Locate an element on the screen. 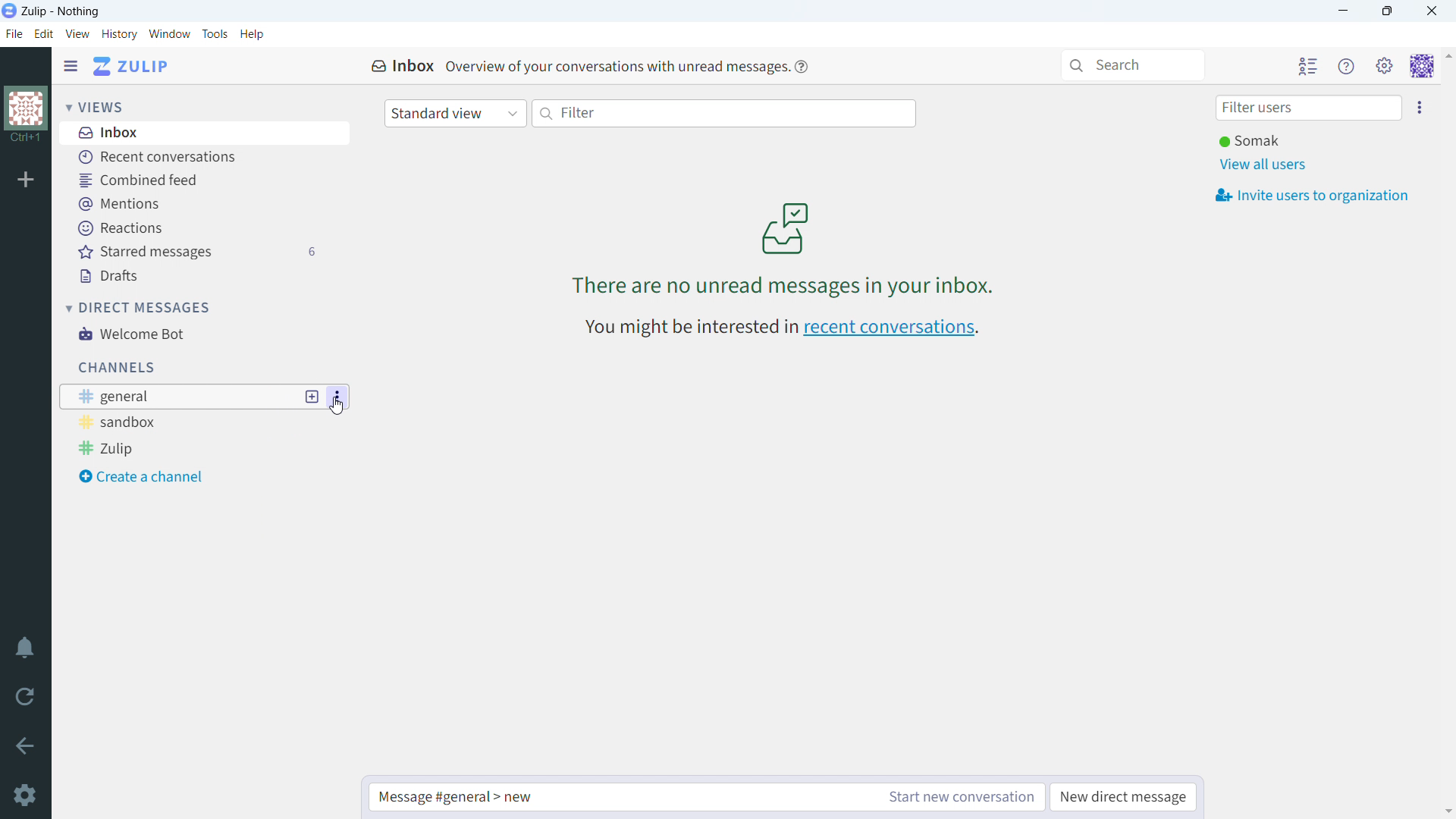 Image resolution: width=1456 pixels, height=819 pixels. view all users is located at coordinates (1262, 165).